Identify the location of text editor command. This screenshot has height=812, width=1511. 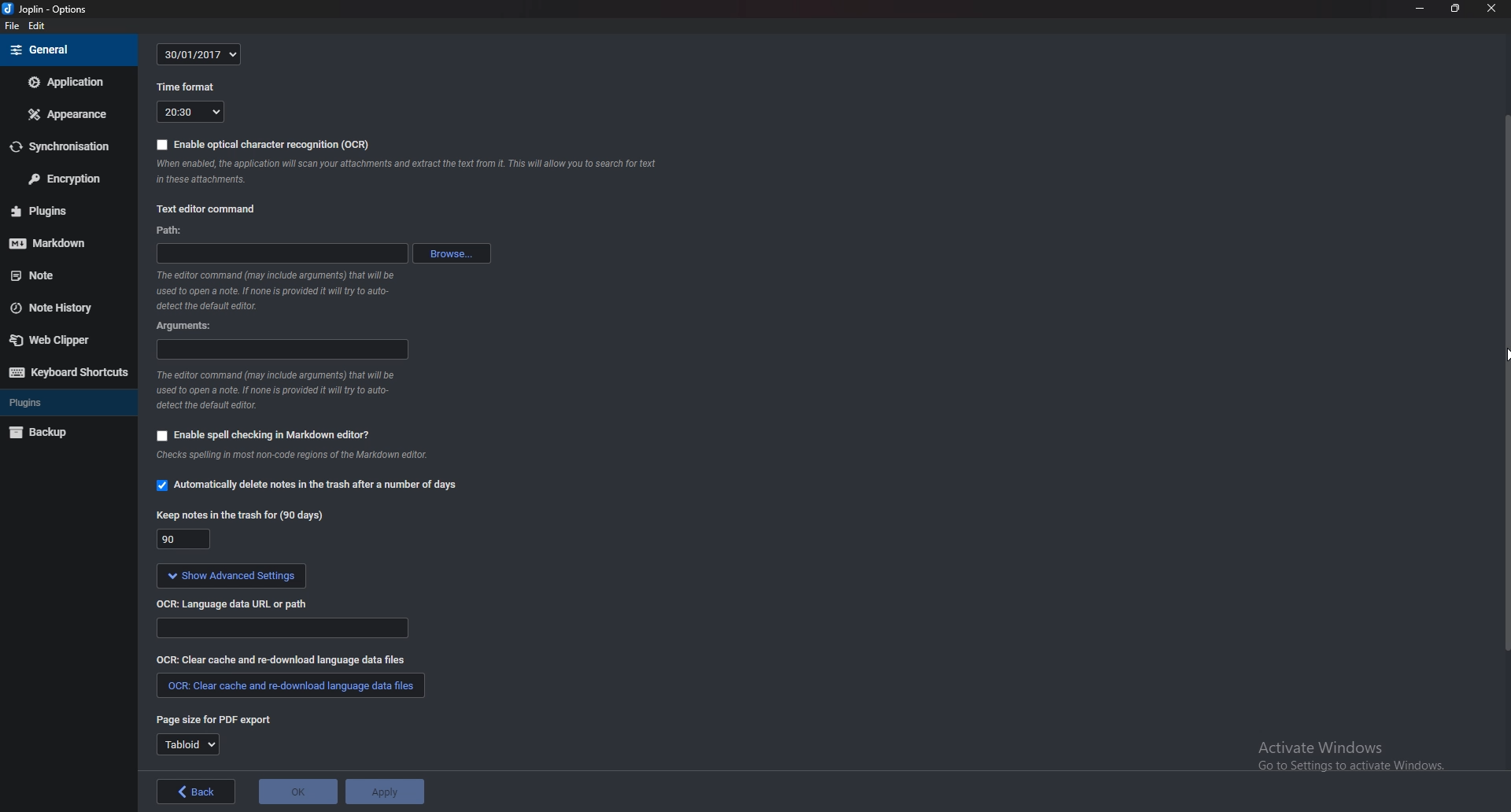
(205, 206).